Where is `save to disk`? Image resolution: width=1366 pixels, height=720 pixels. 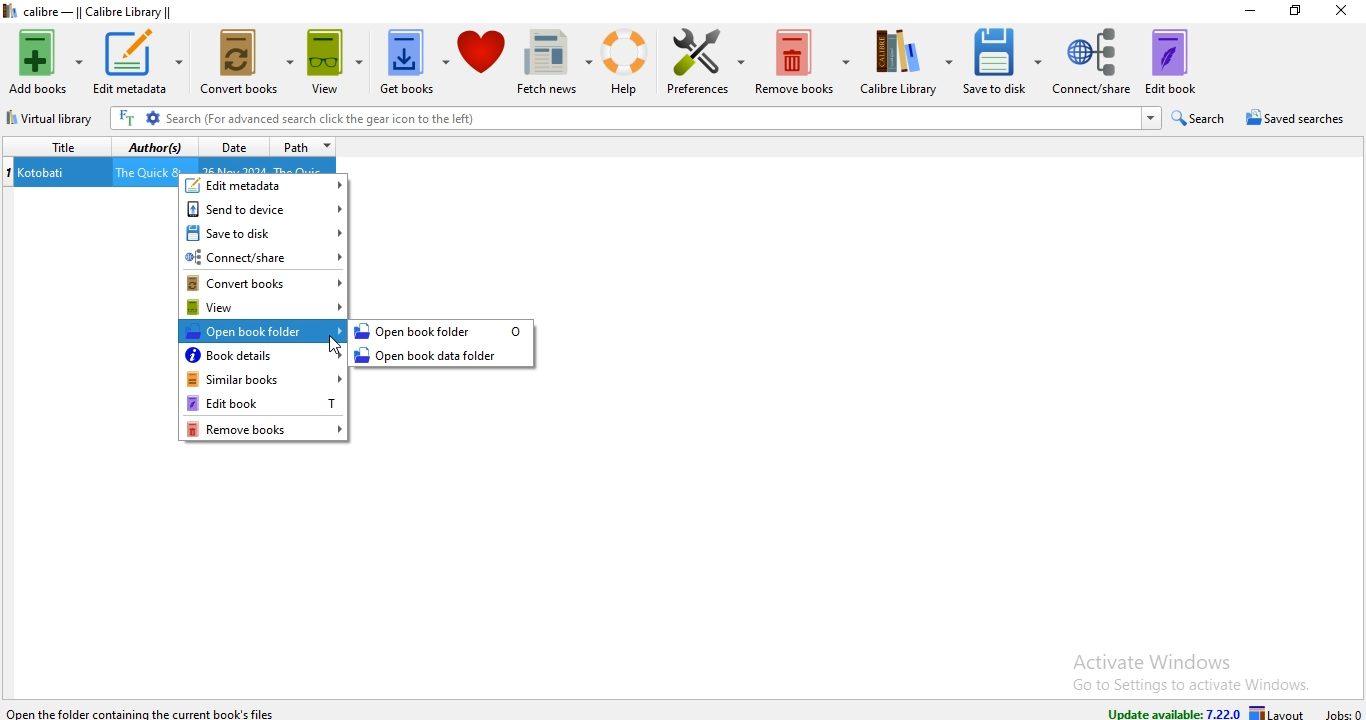
save to disk is located at coordinates (266, 231).